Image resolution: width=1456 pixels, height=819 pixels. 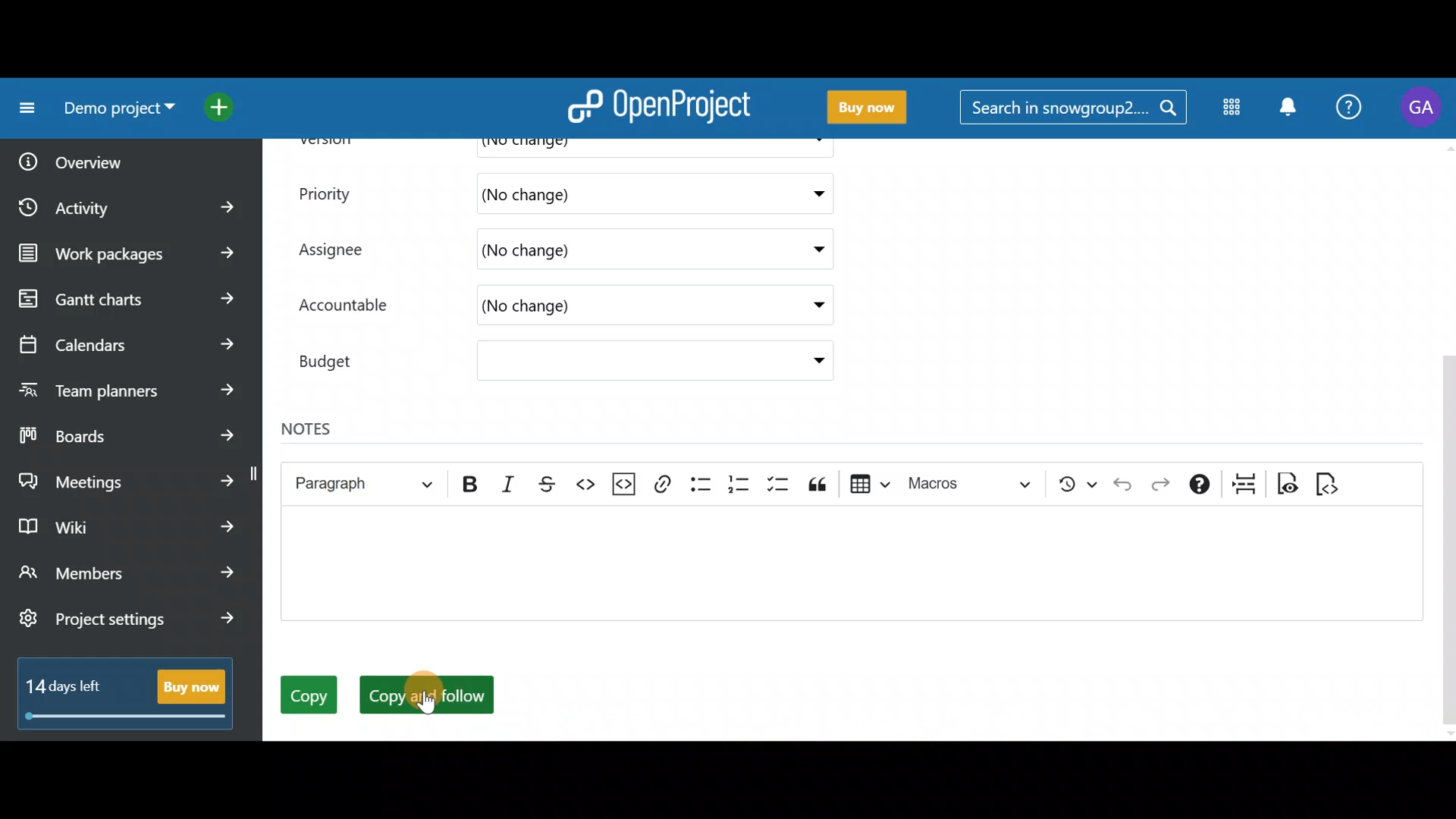 What do you see at coordinates (424, 694) in the screenshot?
I see `Copy and follow` at bounding box center [424, 694].